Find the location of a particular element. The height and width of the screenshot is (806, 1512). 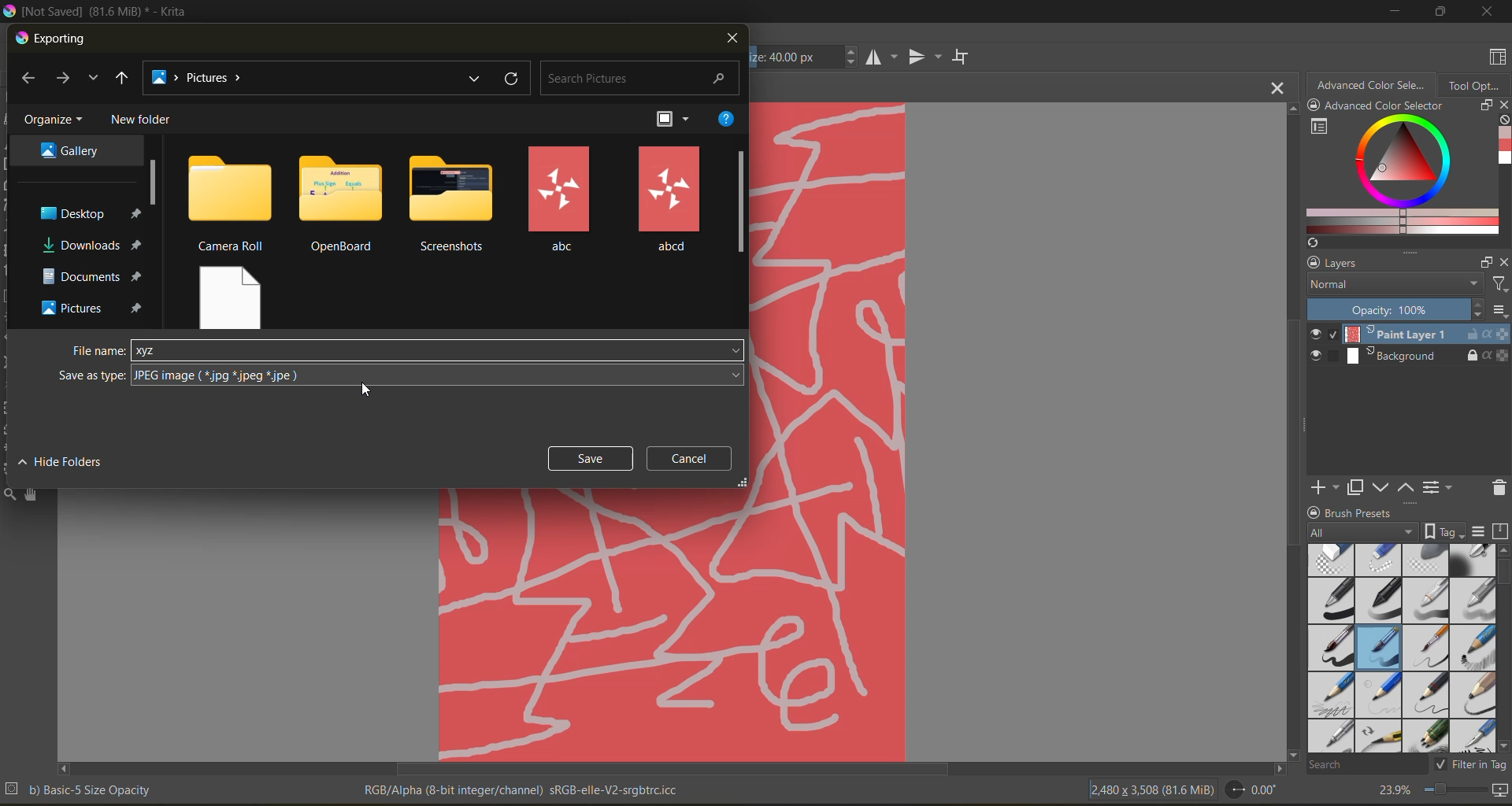

Refresh is located at coordinates (1310, 242).